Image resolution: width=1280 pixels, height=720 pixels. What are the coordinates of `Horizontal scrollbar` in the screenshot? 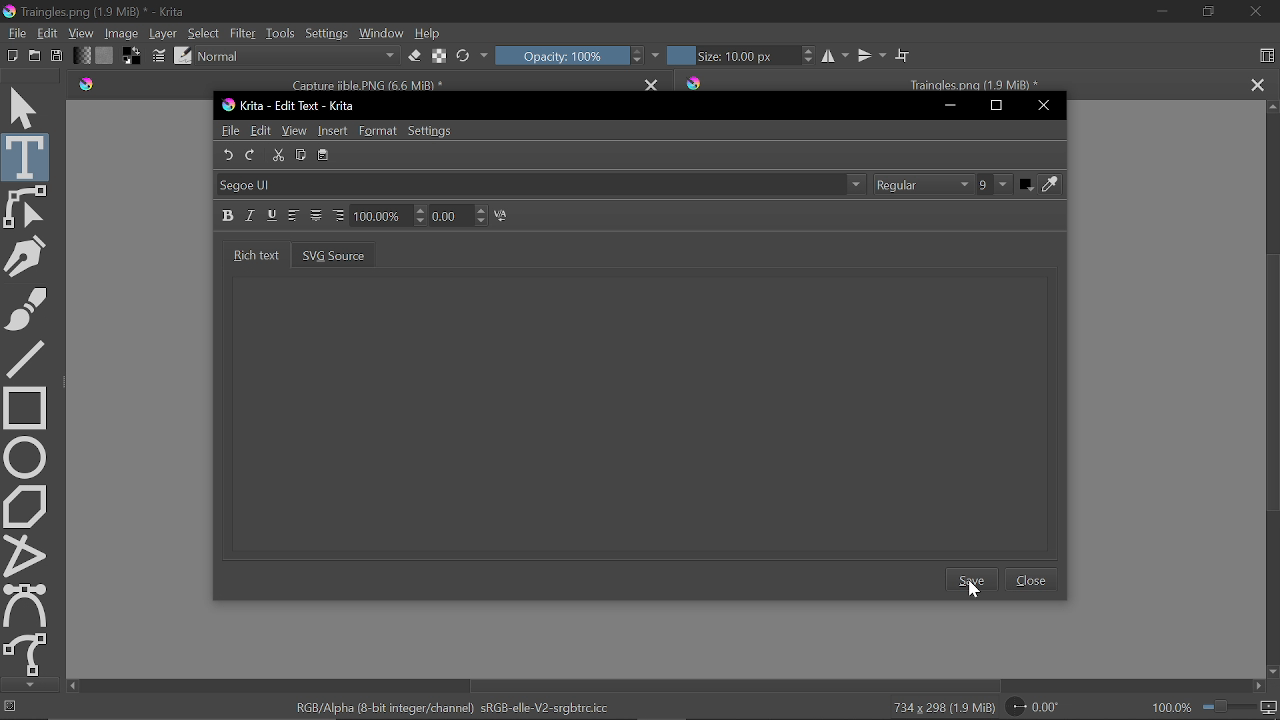 It's located at (731, 683).